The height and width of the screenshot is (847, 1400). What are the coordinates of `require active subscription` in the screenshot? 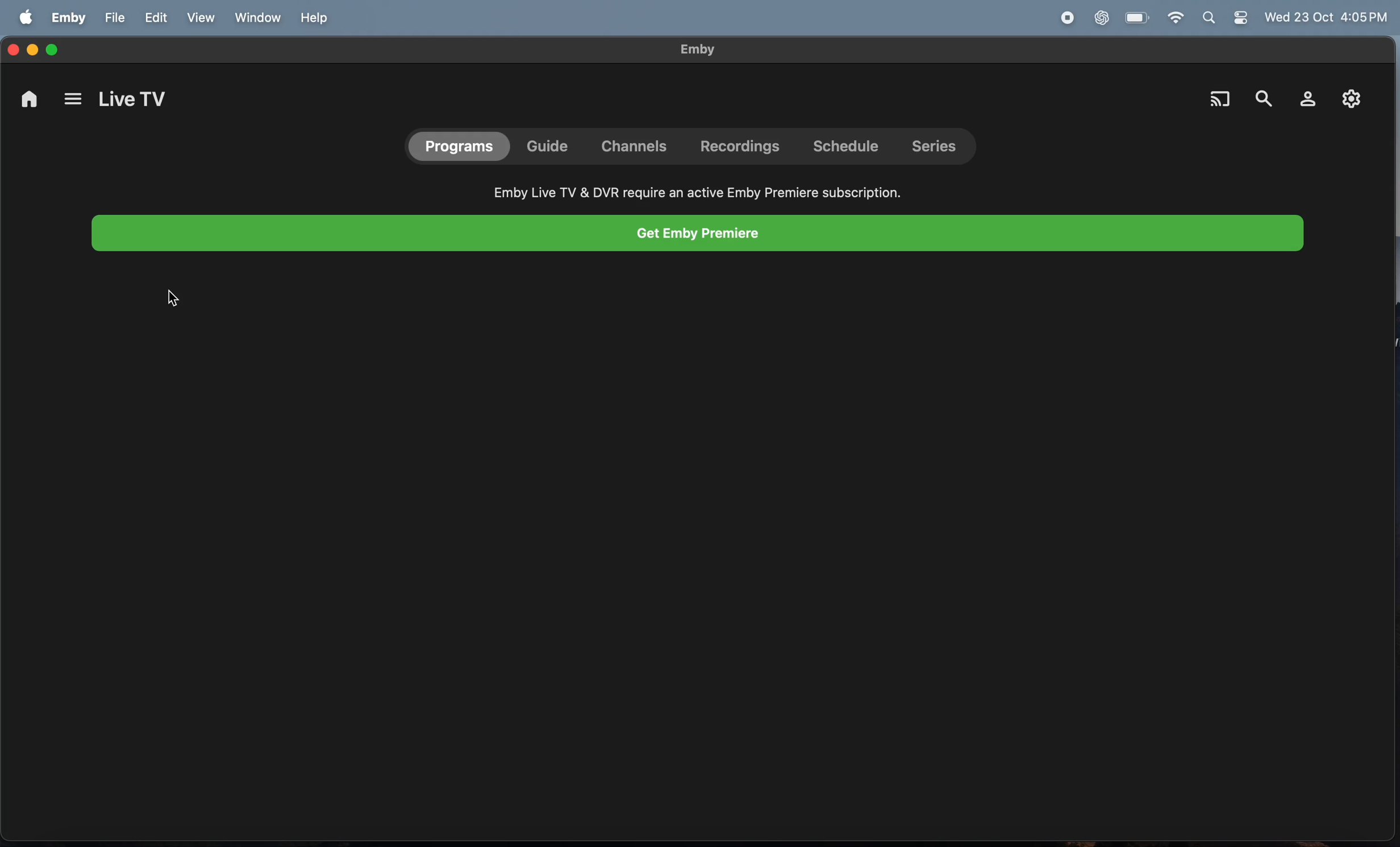 It's located at (697, 188).